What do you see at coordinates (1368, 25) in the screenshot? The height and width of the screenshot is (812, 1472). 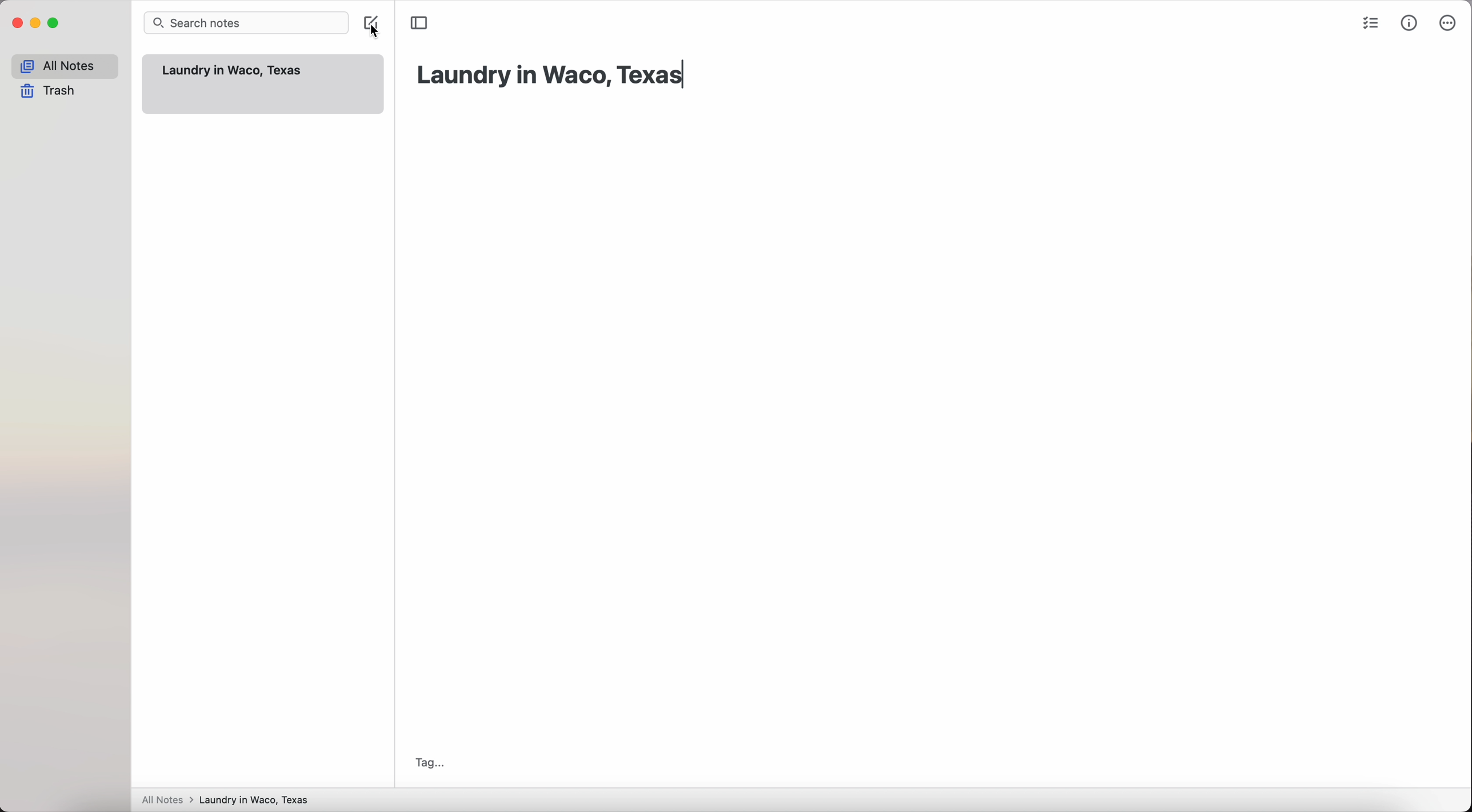 I see `check list` at bounding box center [1368, 25].